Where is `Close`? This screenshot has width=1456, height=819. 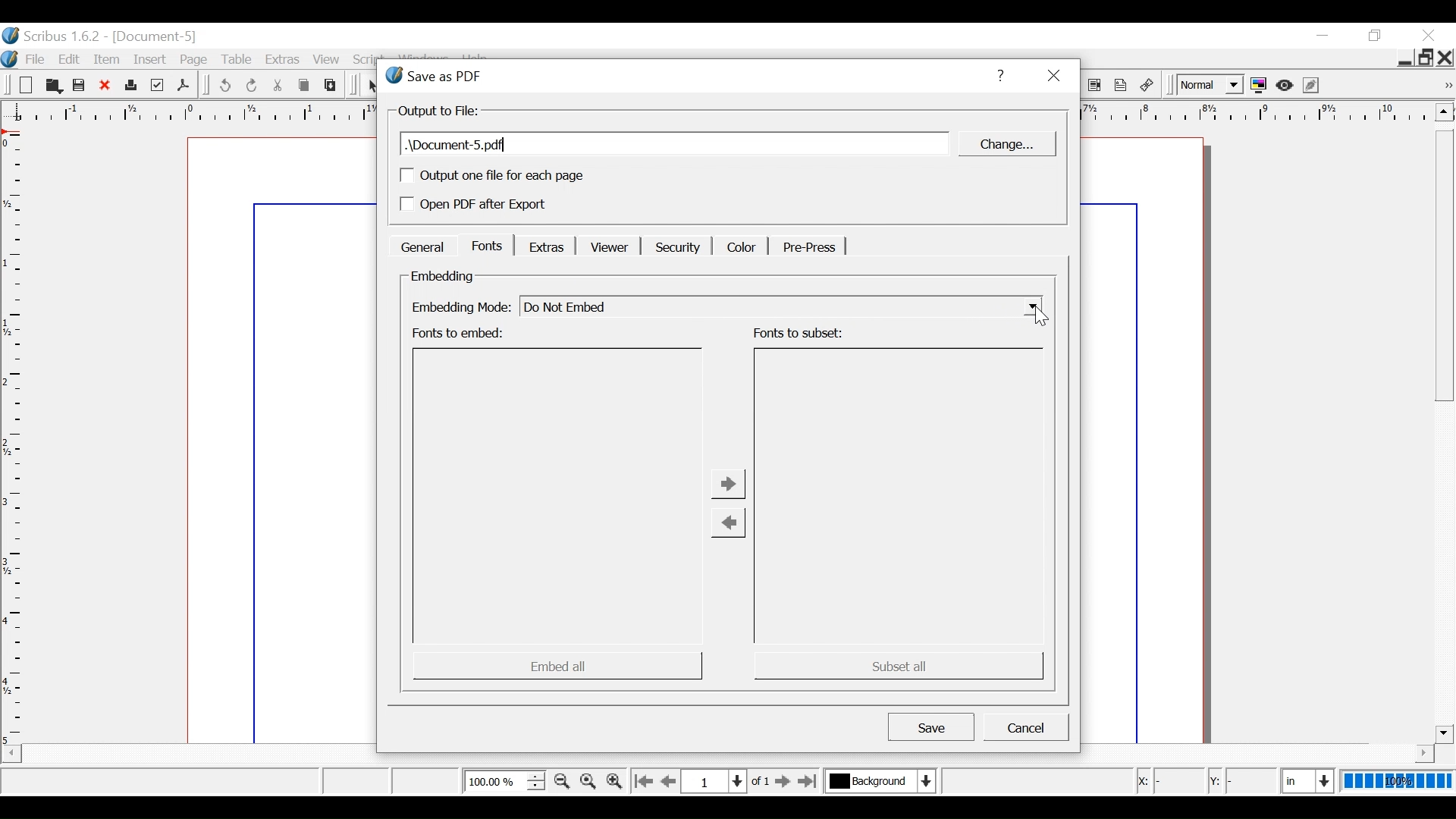
Close is located at coordinates (1053, 77).